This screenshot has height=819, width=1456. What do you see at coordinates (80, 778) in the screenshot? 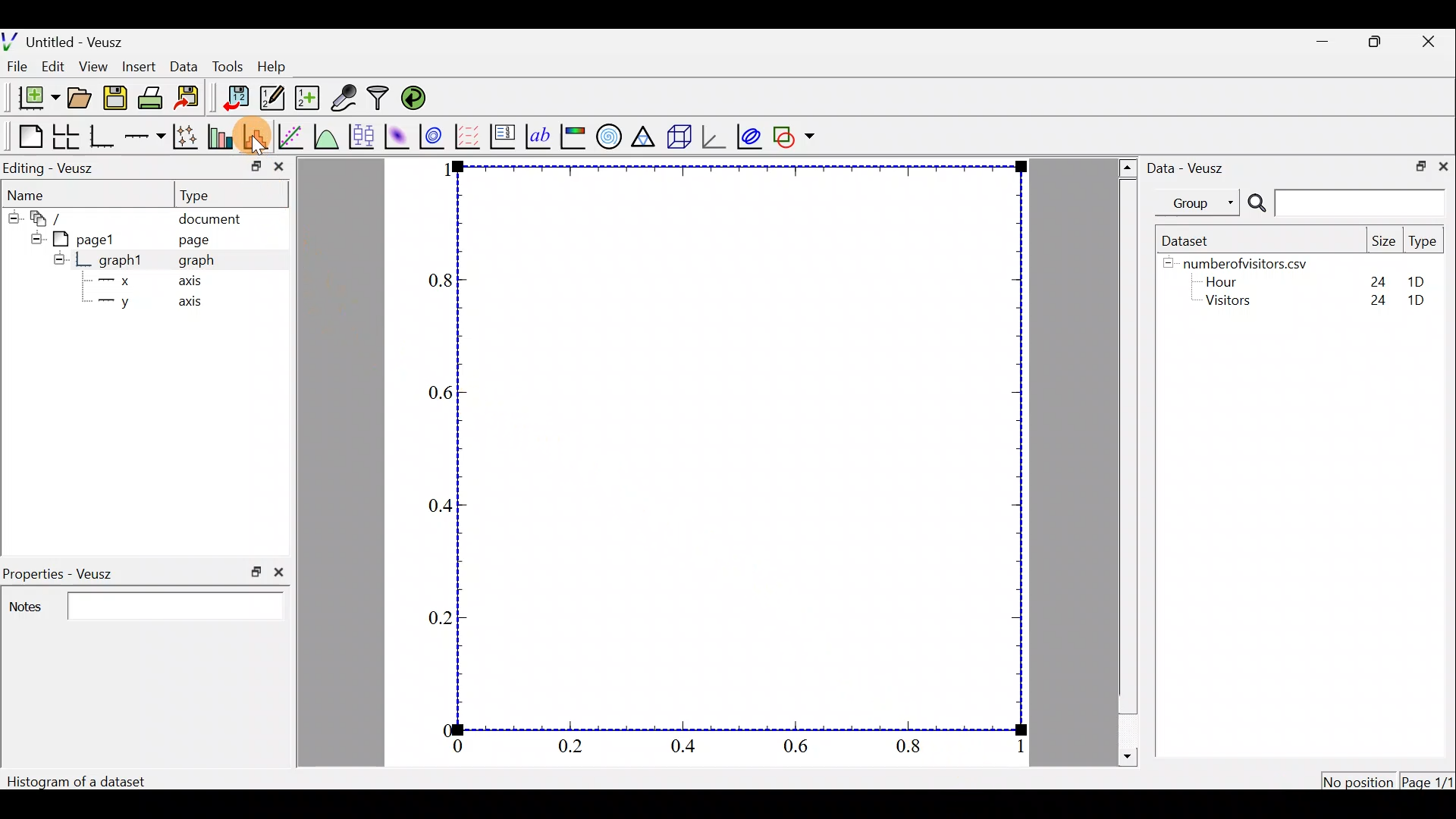
I see `Histogram of a dataset` at bounding box center [80, 778].